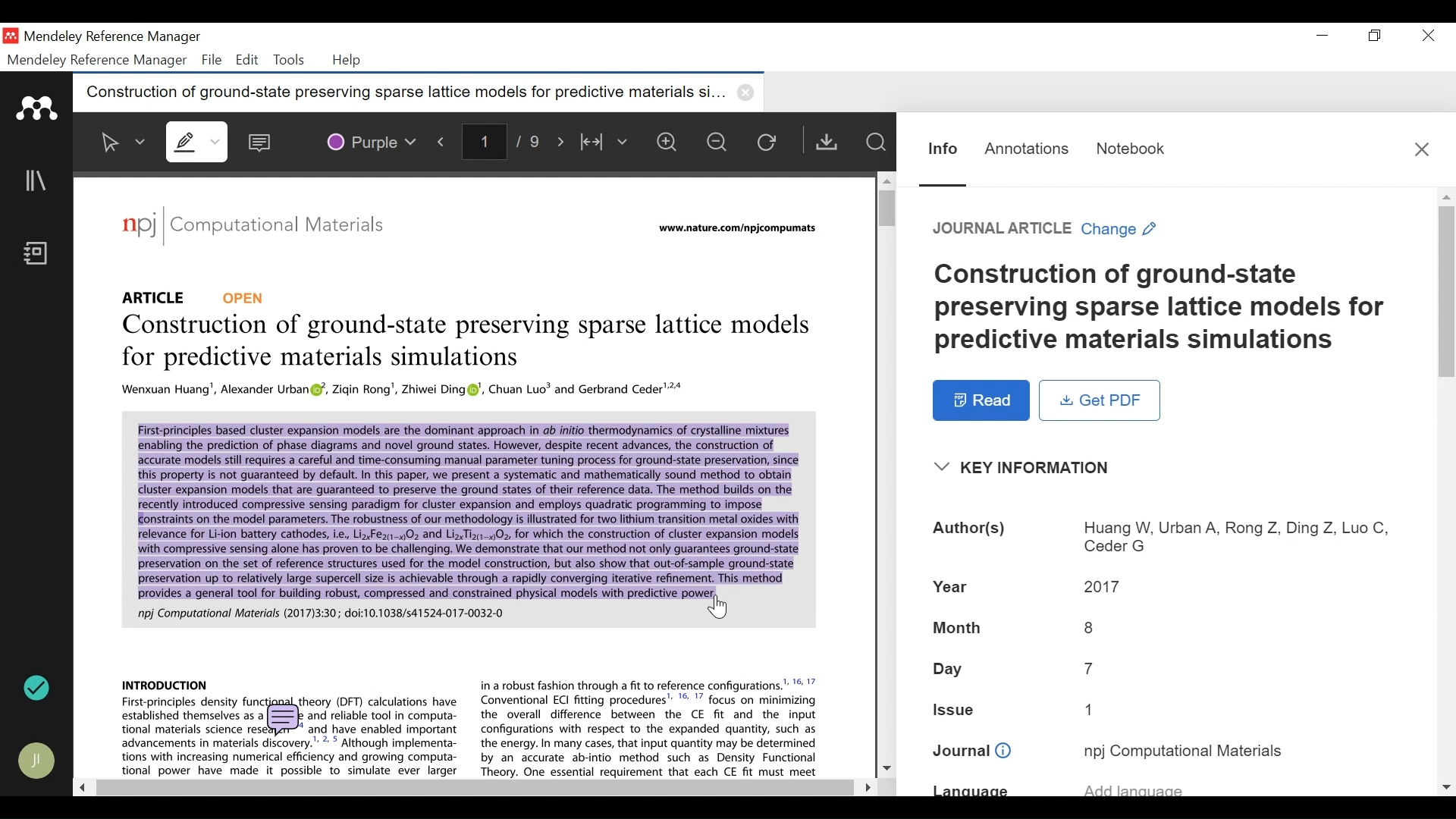 The height and width of the screenshot is (819, 1456). Describe the element at coordinates (405, 391) in the screenshot. I see `PDF Context` at that location.